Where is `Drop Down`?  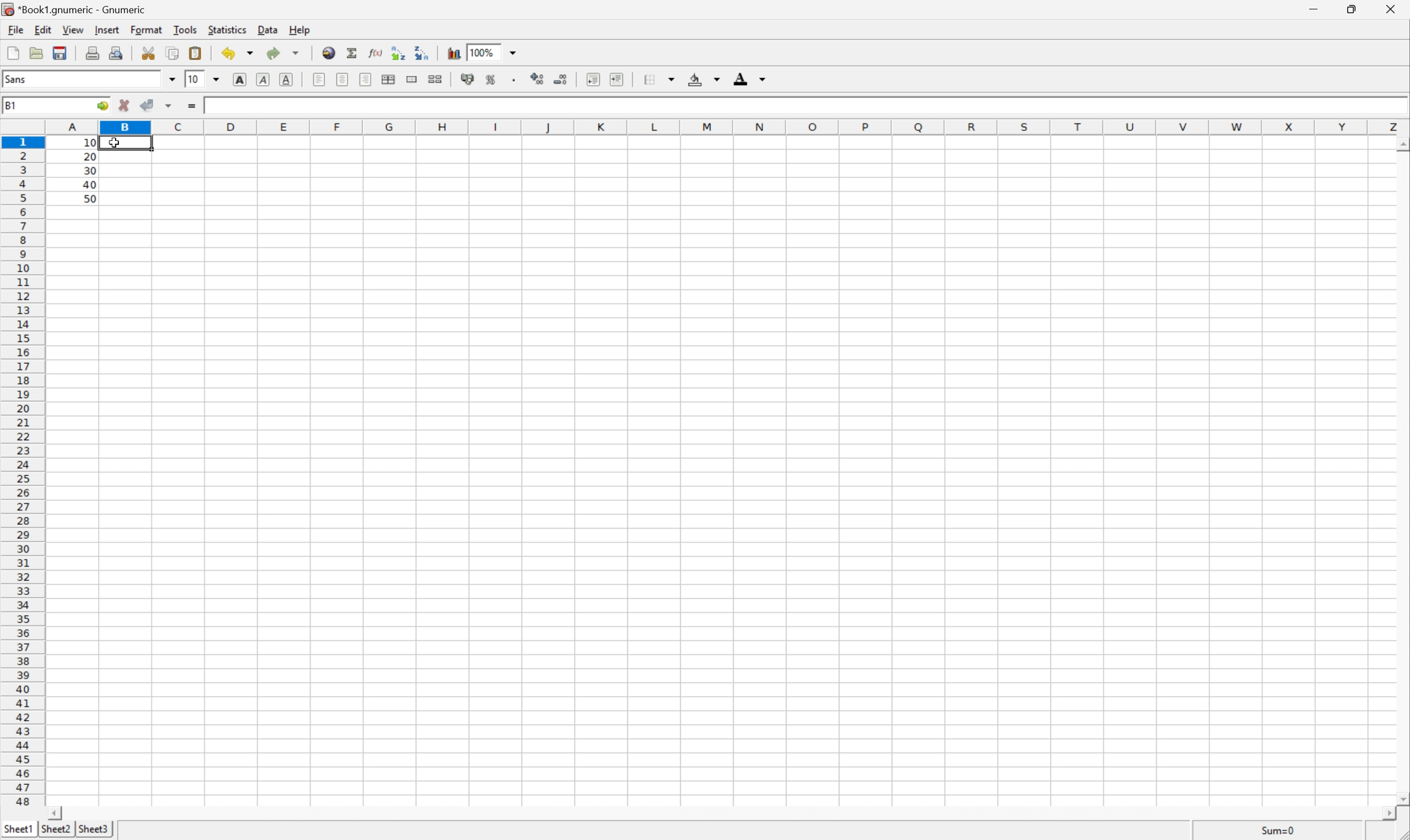
Drop Down is located at coordinates (171, 79).